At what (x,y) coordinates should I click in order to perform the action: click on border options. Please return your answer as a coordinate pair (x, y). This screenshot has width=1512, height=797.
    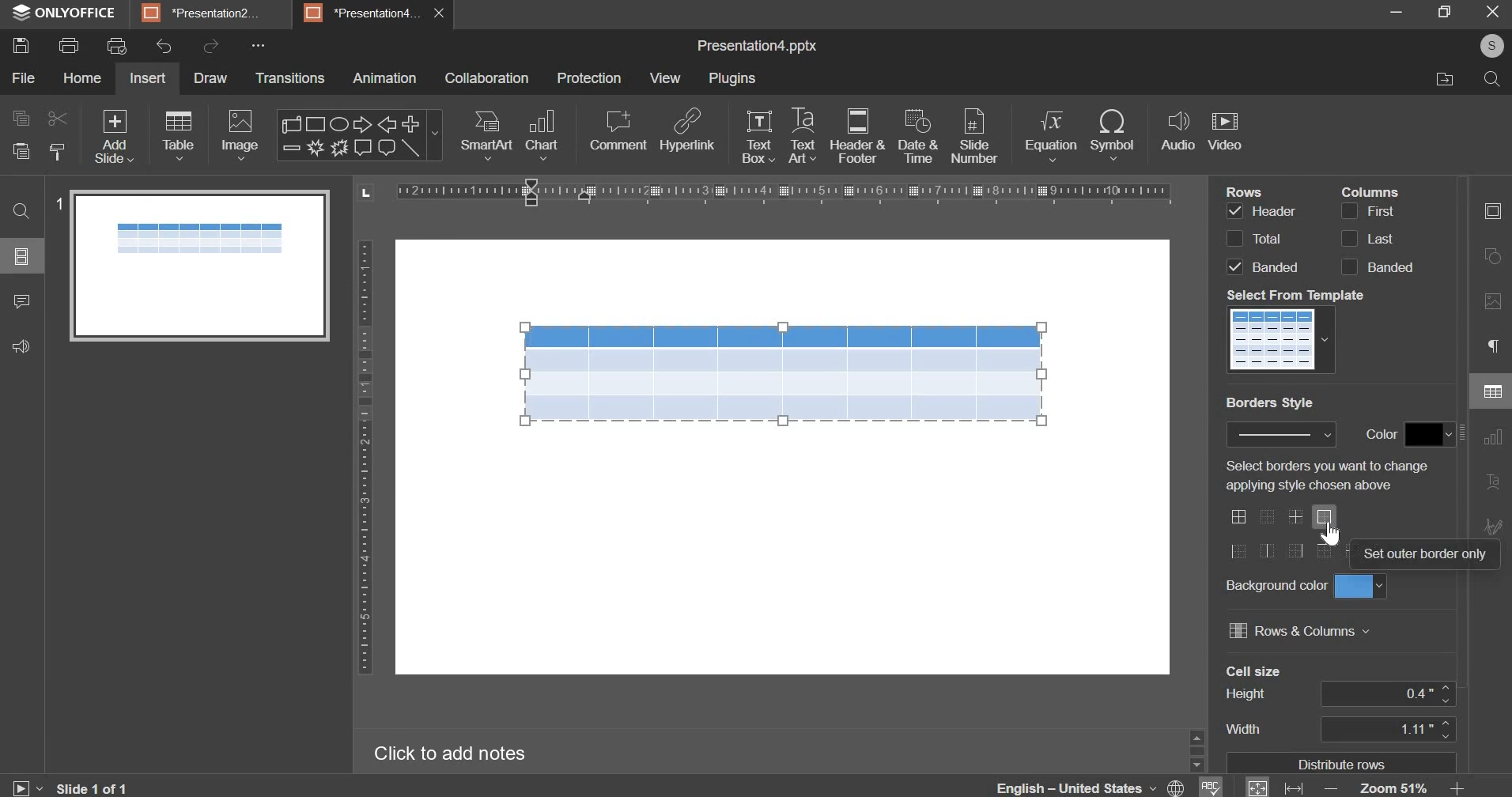
    Looking at the image, I should click on (1331, 516).